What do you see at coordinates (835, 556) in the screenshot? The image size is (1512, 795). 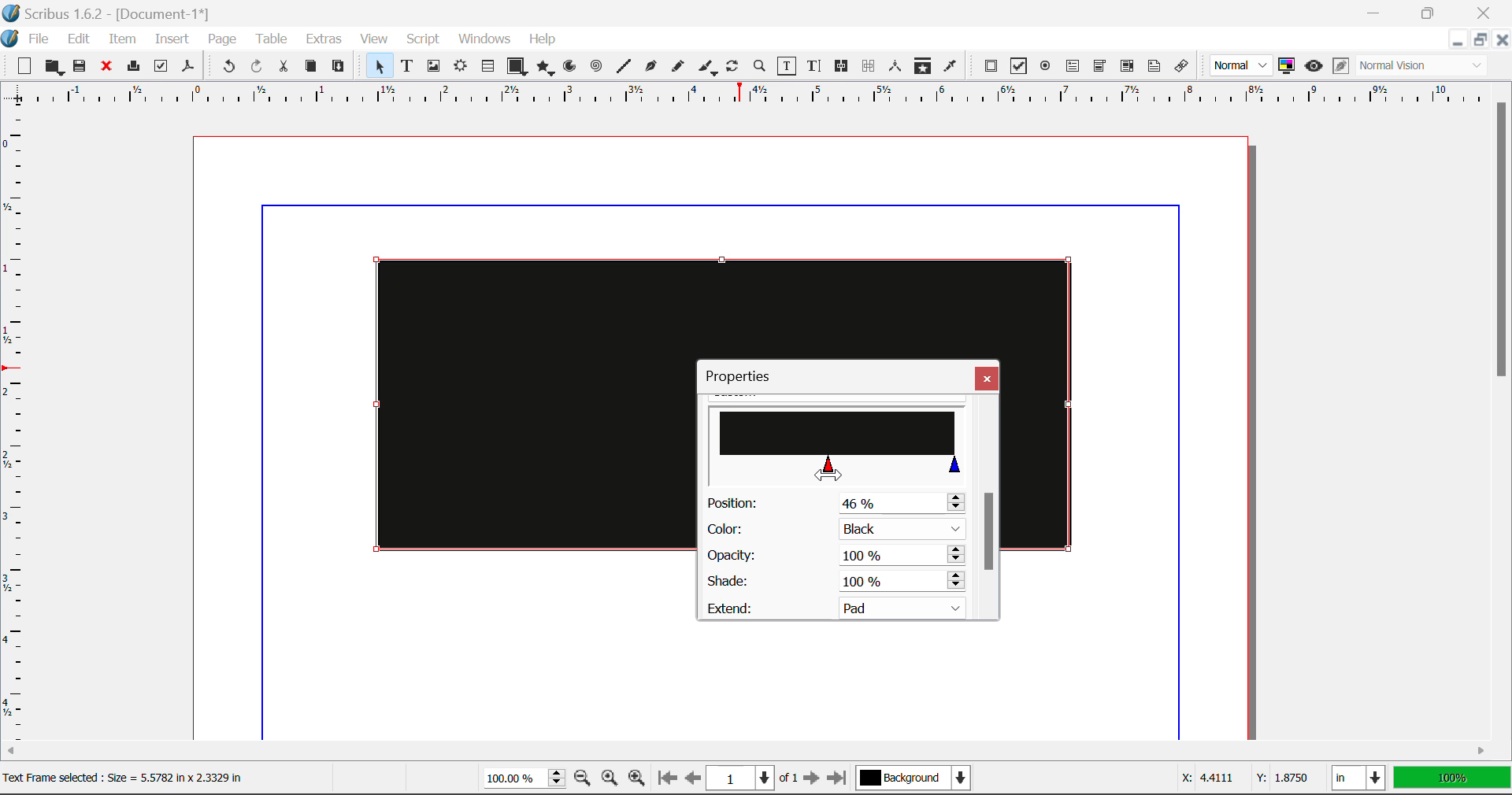 I see `Opacity` at bounding box center [835, 556].